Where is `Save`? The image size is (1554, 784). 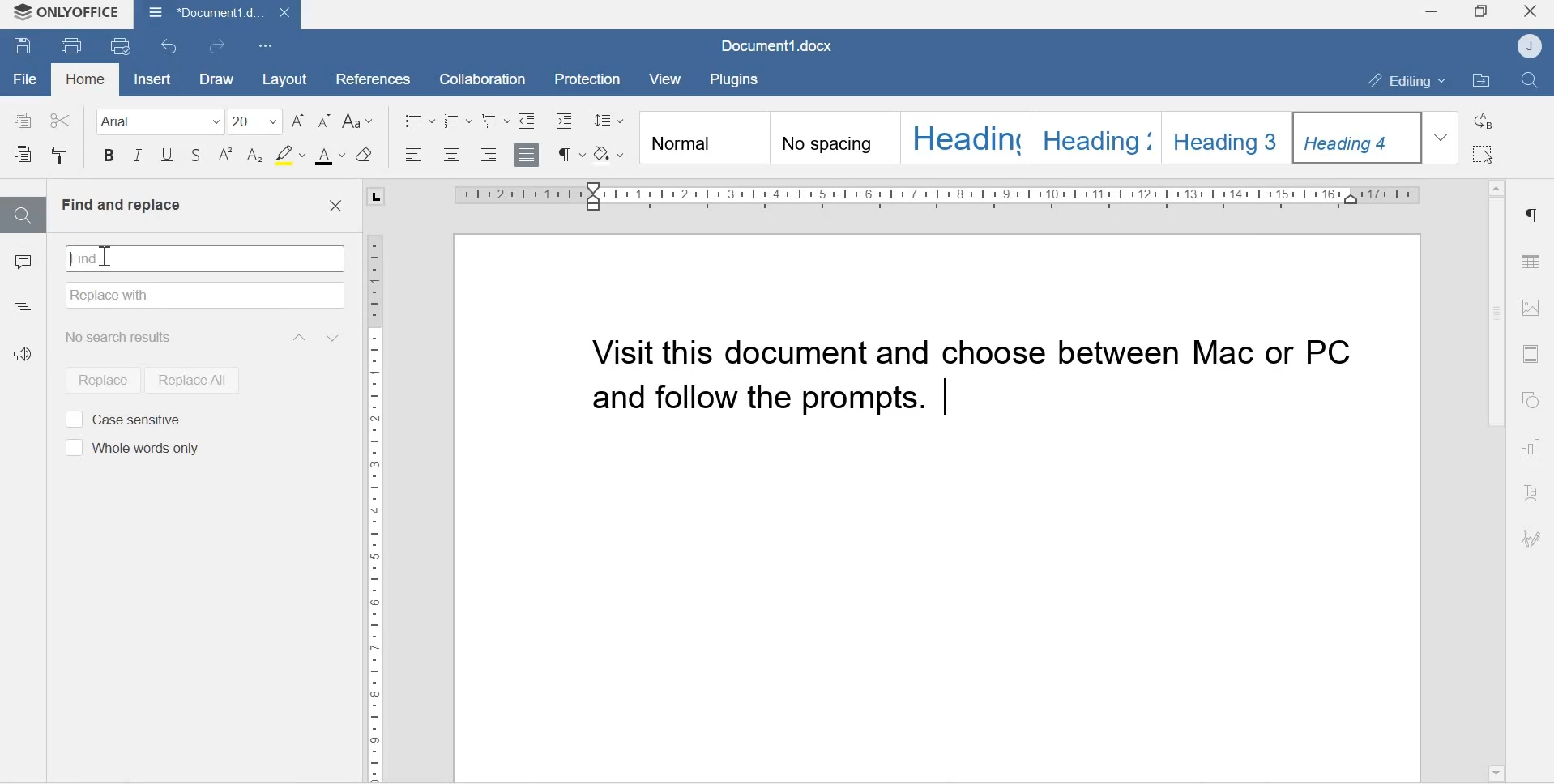 Save is located at coordinates (23, 48).